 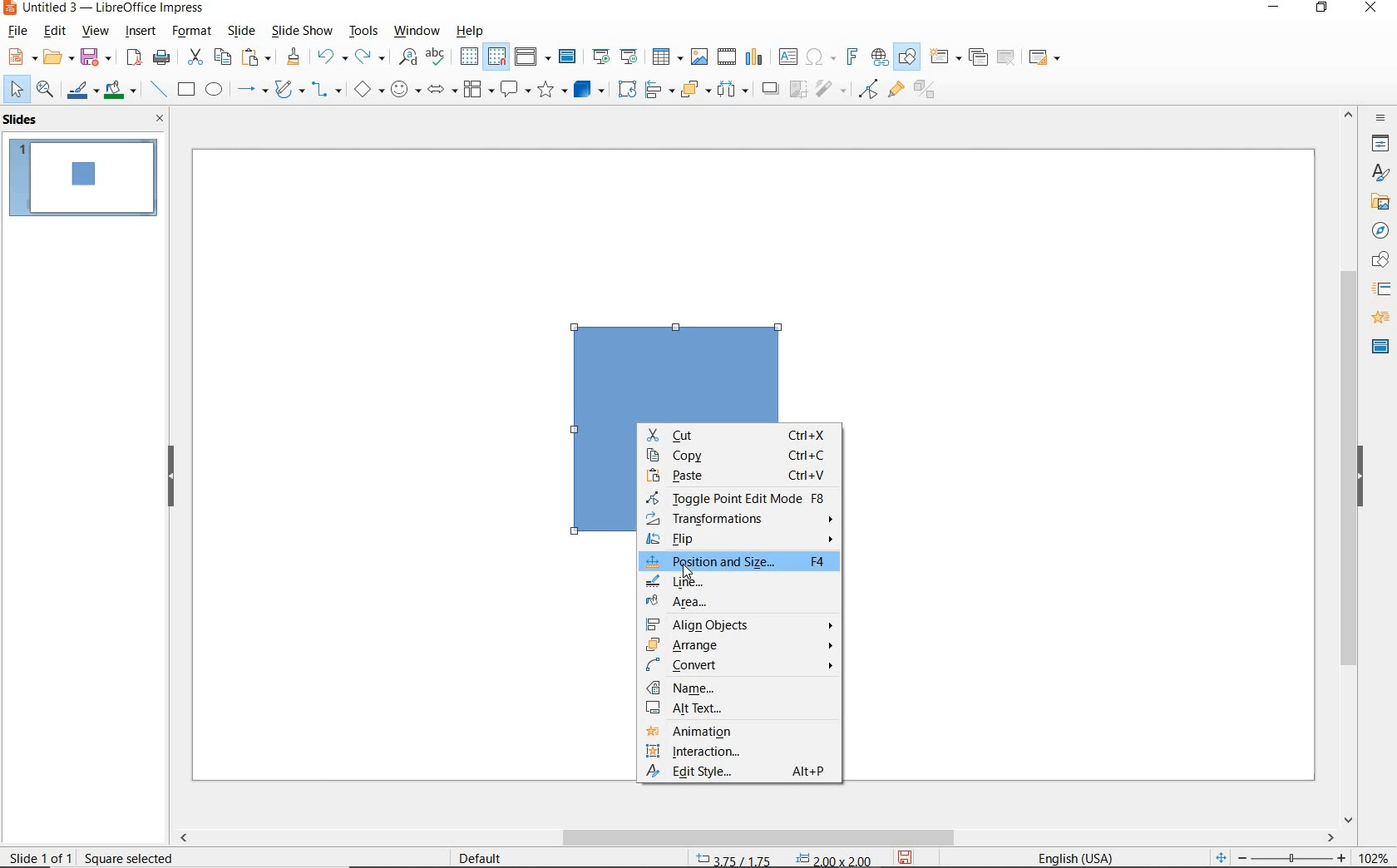 I want to click on slide, so click(x=241, y=32).